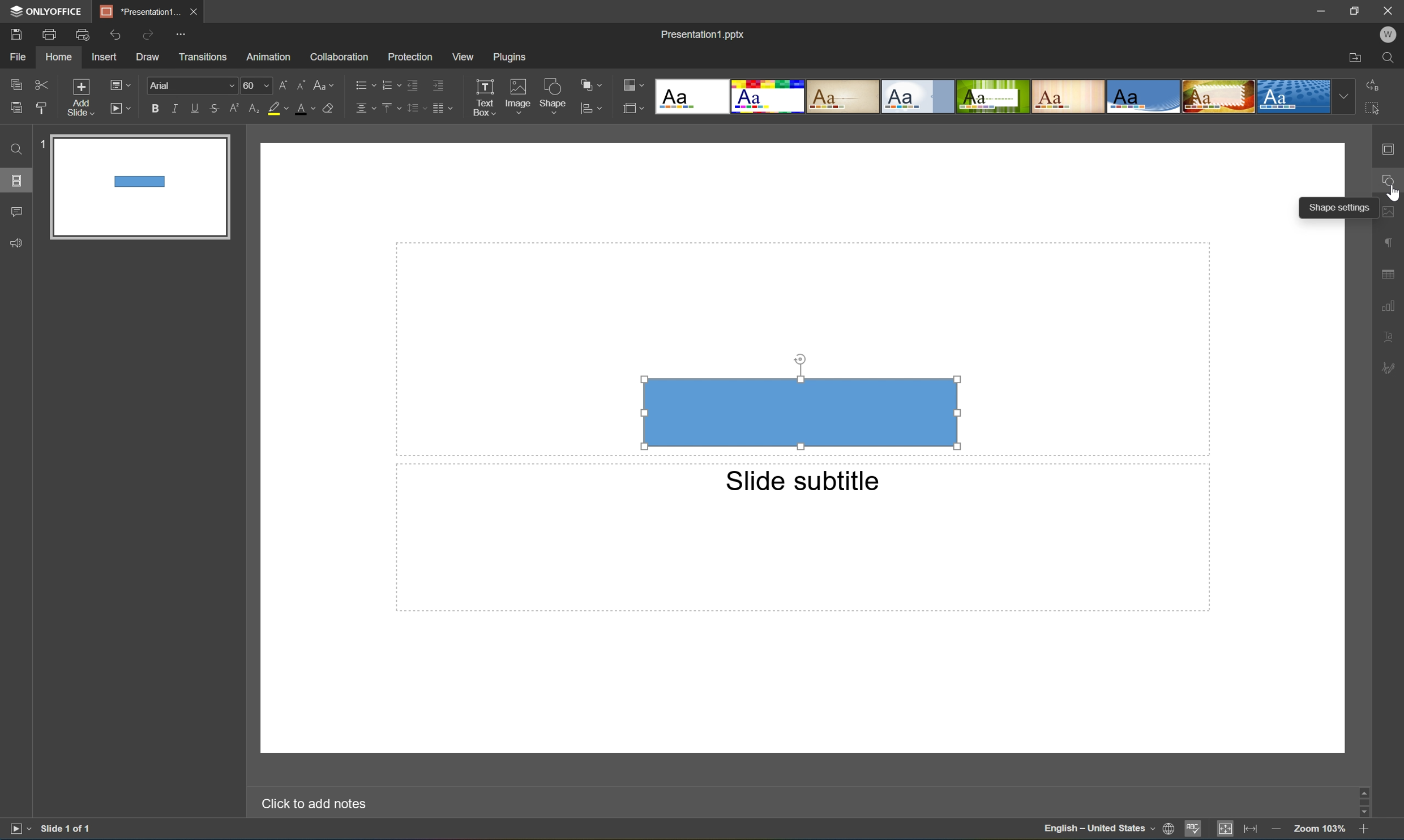 Image resolution: width=1404 pixels, height=840 pixels. Describe the element at coordinates (41, 106) in the screenshot. I see `Copy style` at that location.